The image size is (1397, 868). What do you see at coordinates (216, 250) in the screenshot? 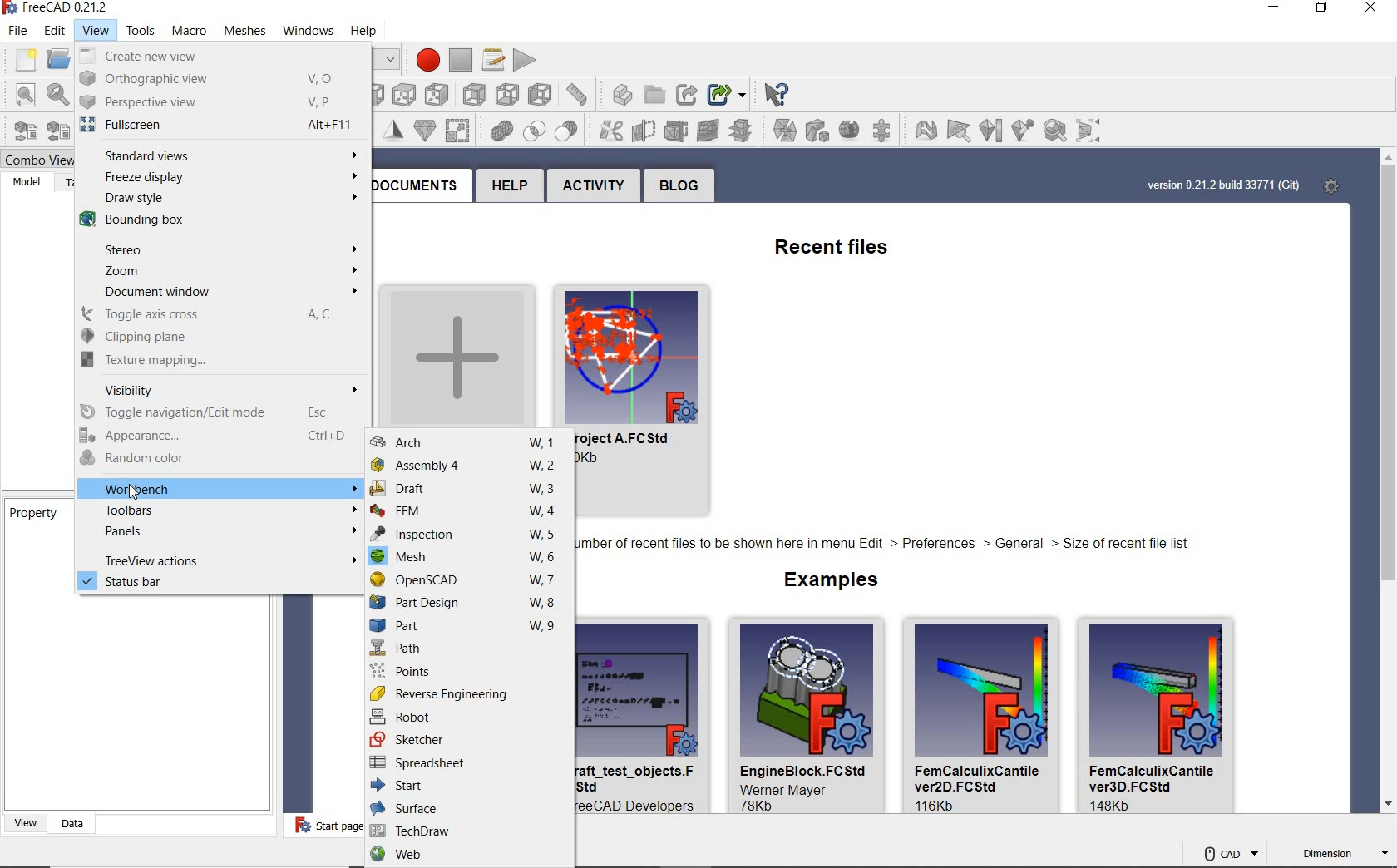
I see `stereo` at bounding box center [216, 250].